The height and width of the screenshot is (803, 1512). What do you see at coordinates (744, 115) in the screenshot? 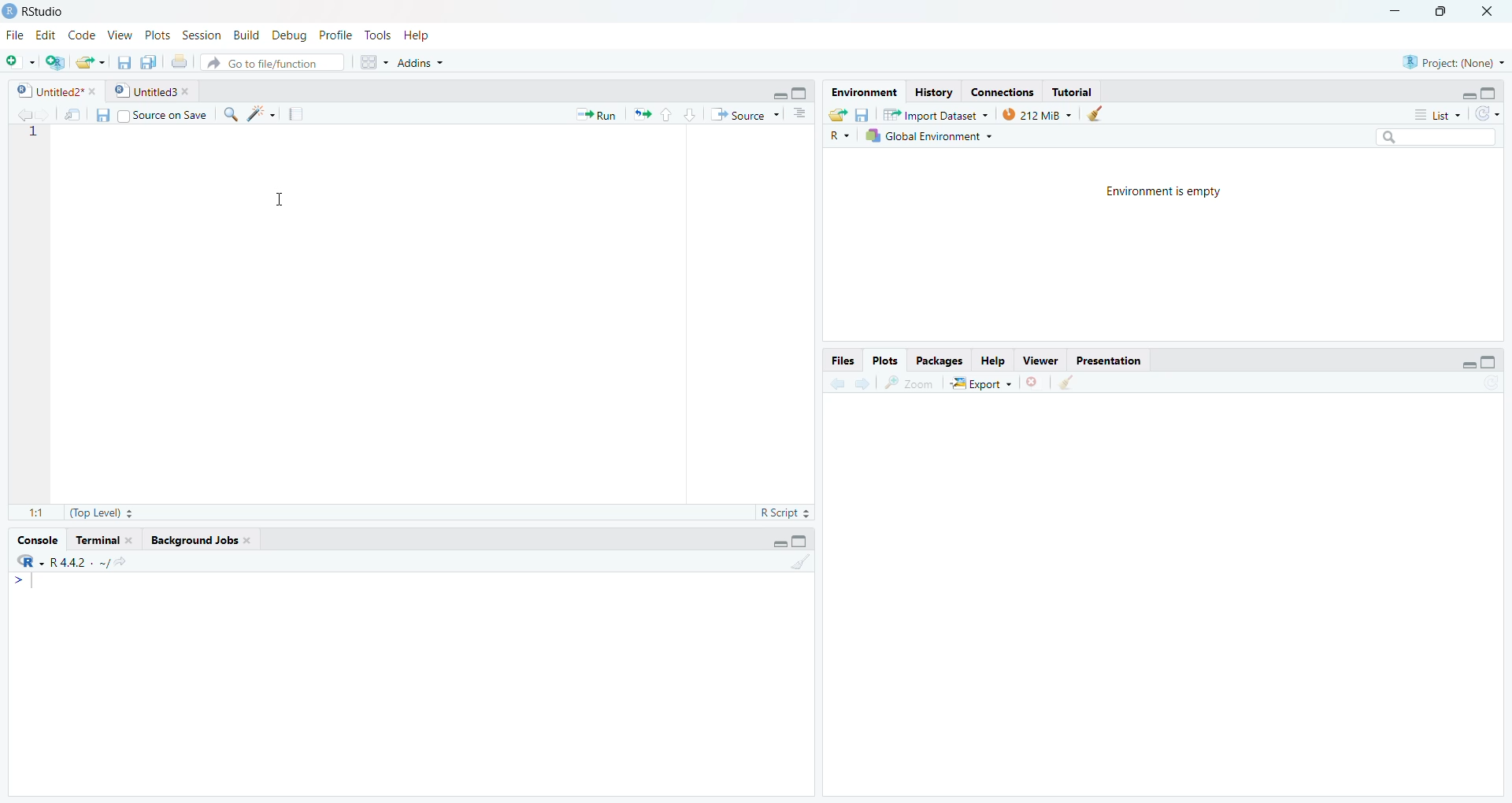
I see `source` at bounding box center [744, 115].